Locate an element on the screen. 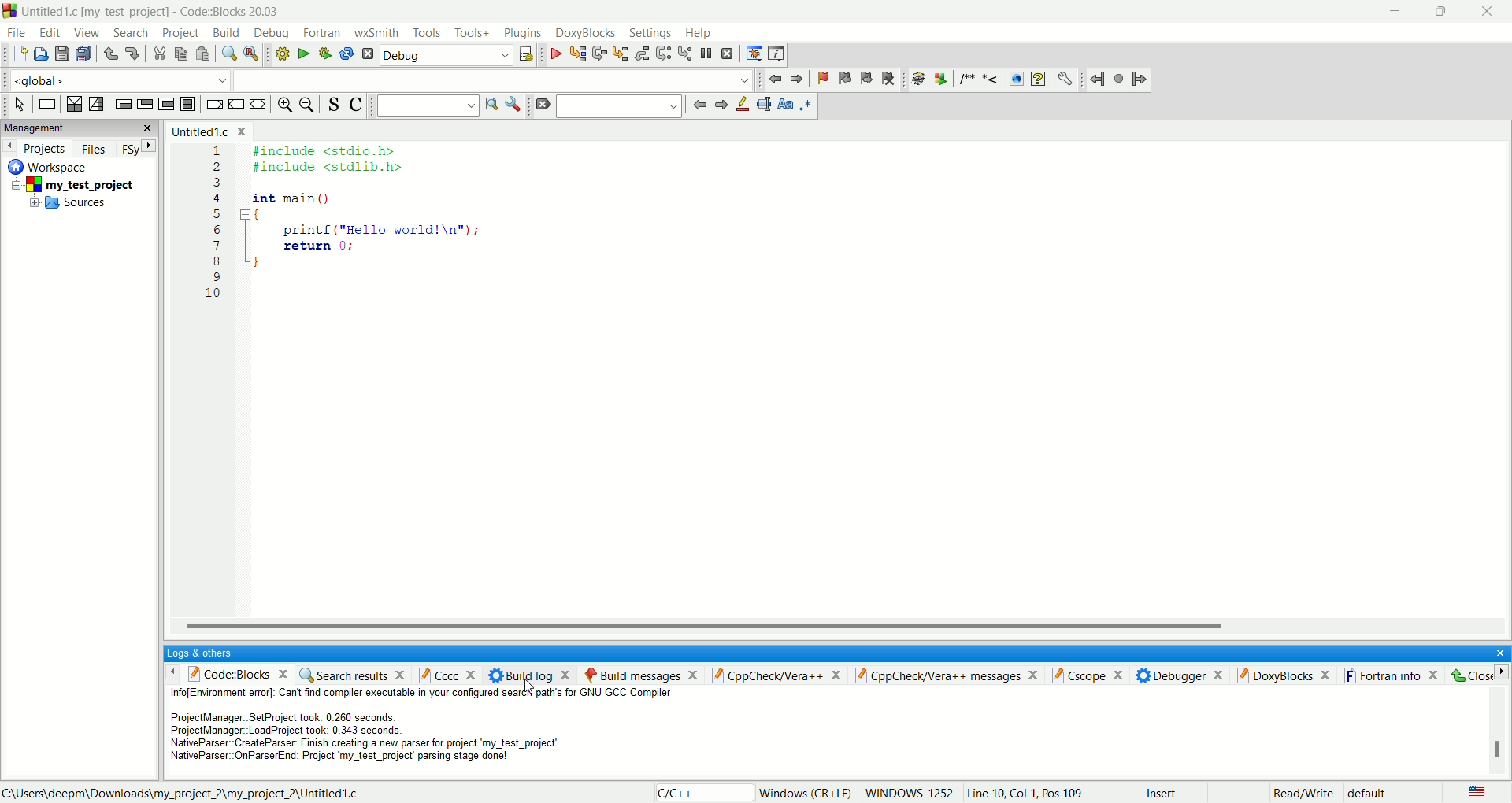 Image resolution: width=1512 pixels, height=803 pixels. build and run is located at coordinates (321, 54).